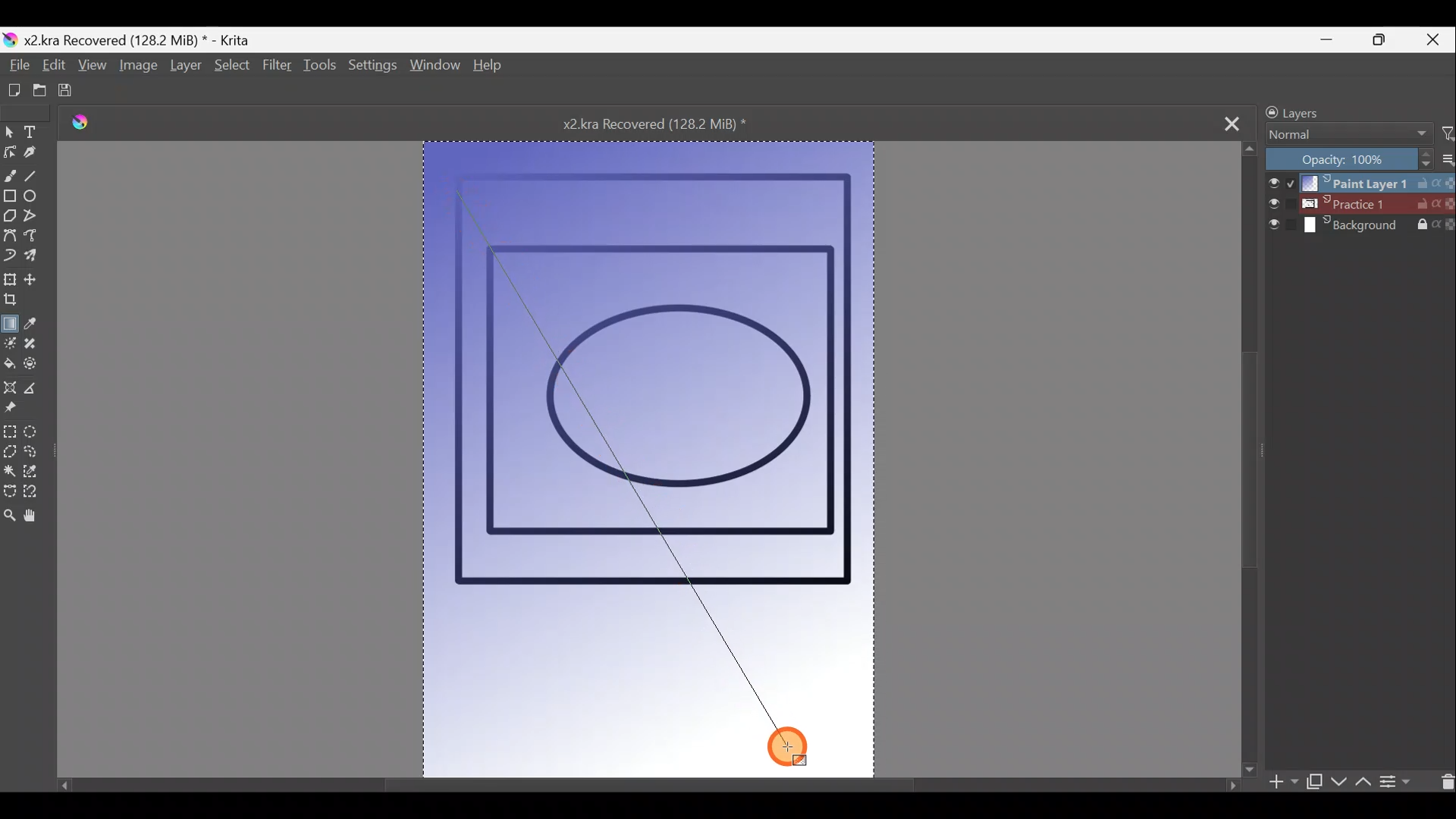 This screenshot has height=819, width=1456. Describe the element at coordinates (35, 199) in the screenshot. I see `Ellipse tool` at that location.